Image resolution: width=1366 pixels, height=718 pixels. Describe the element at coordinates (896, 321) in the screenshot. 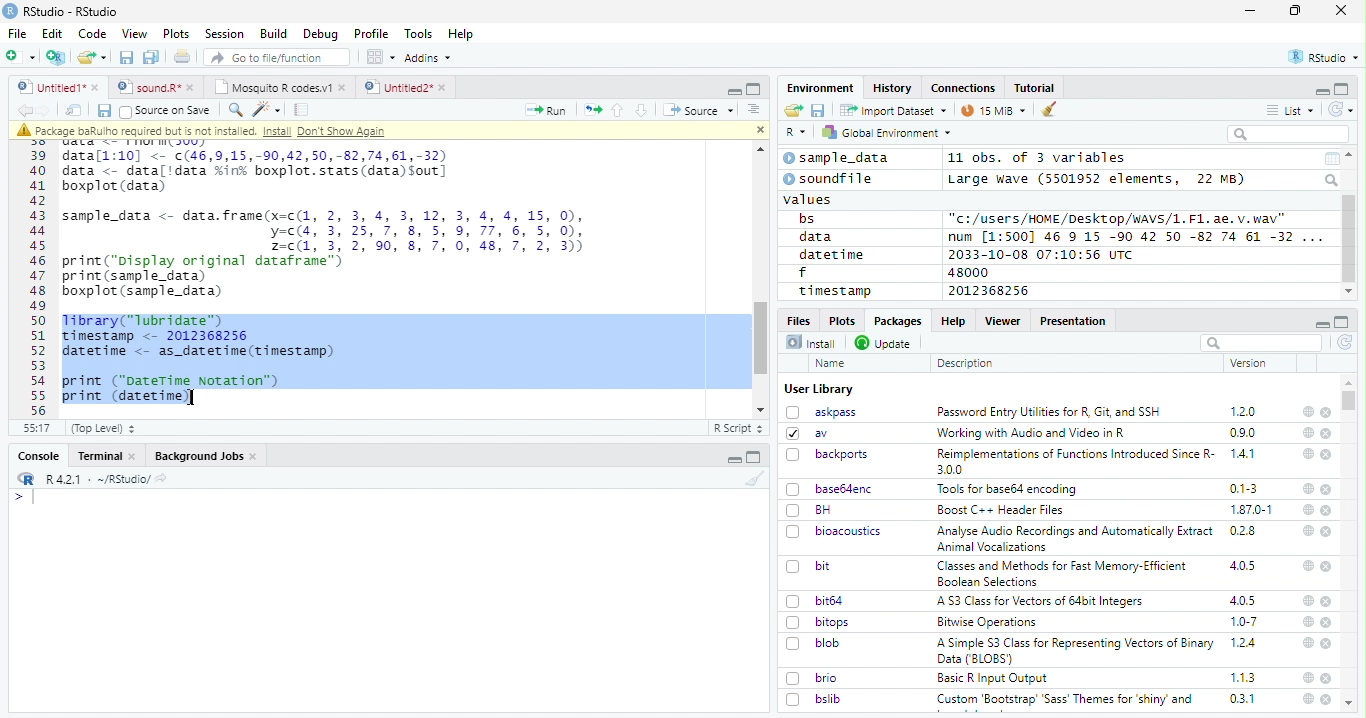

I see `Packages` at that location.